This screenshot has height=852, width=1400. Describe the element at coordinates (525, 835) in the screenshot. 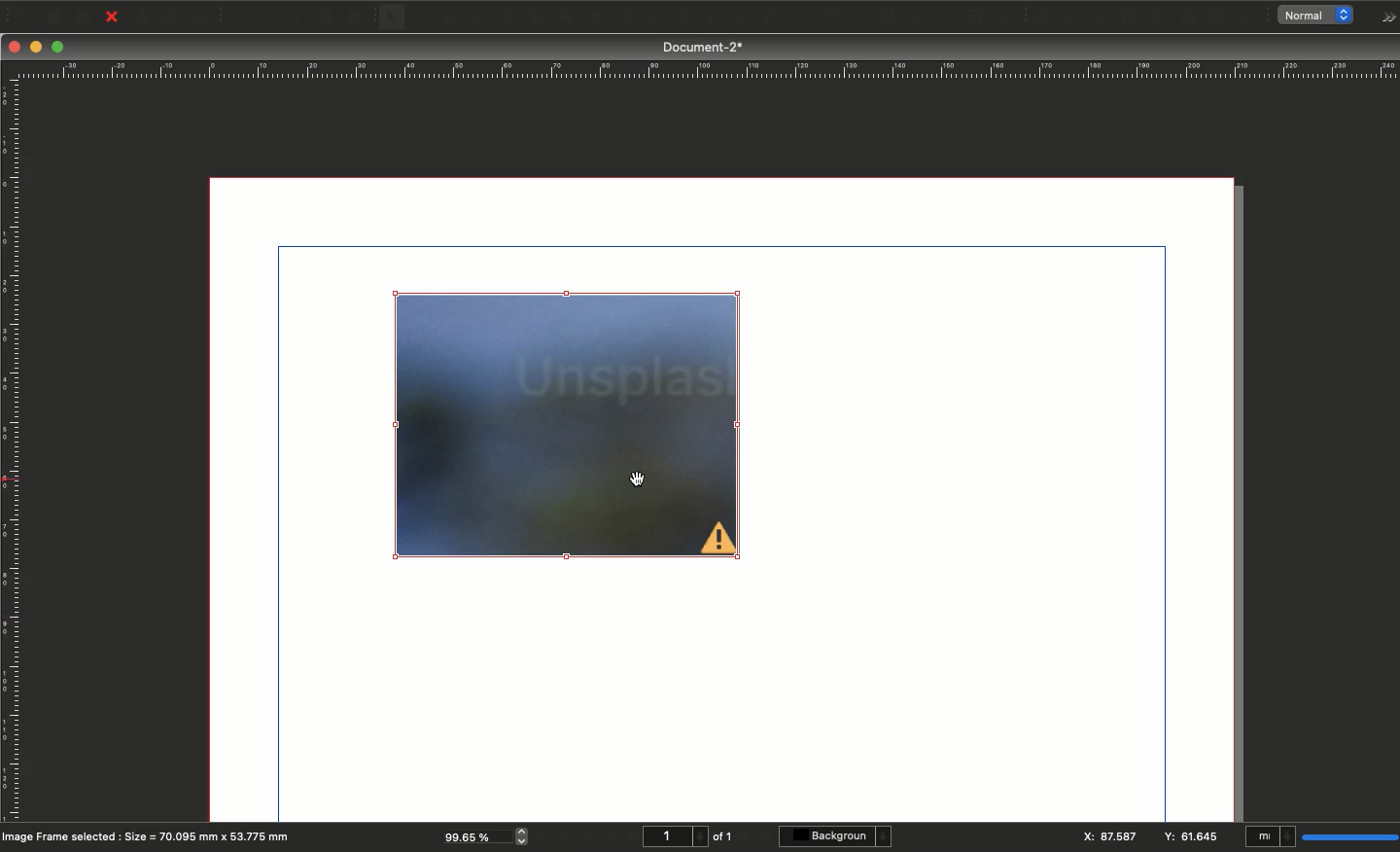

I see `zoom in and out` at that location.